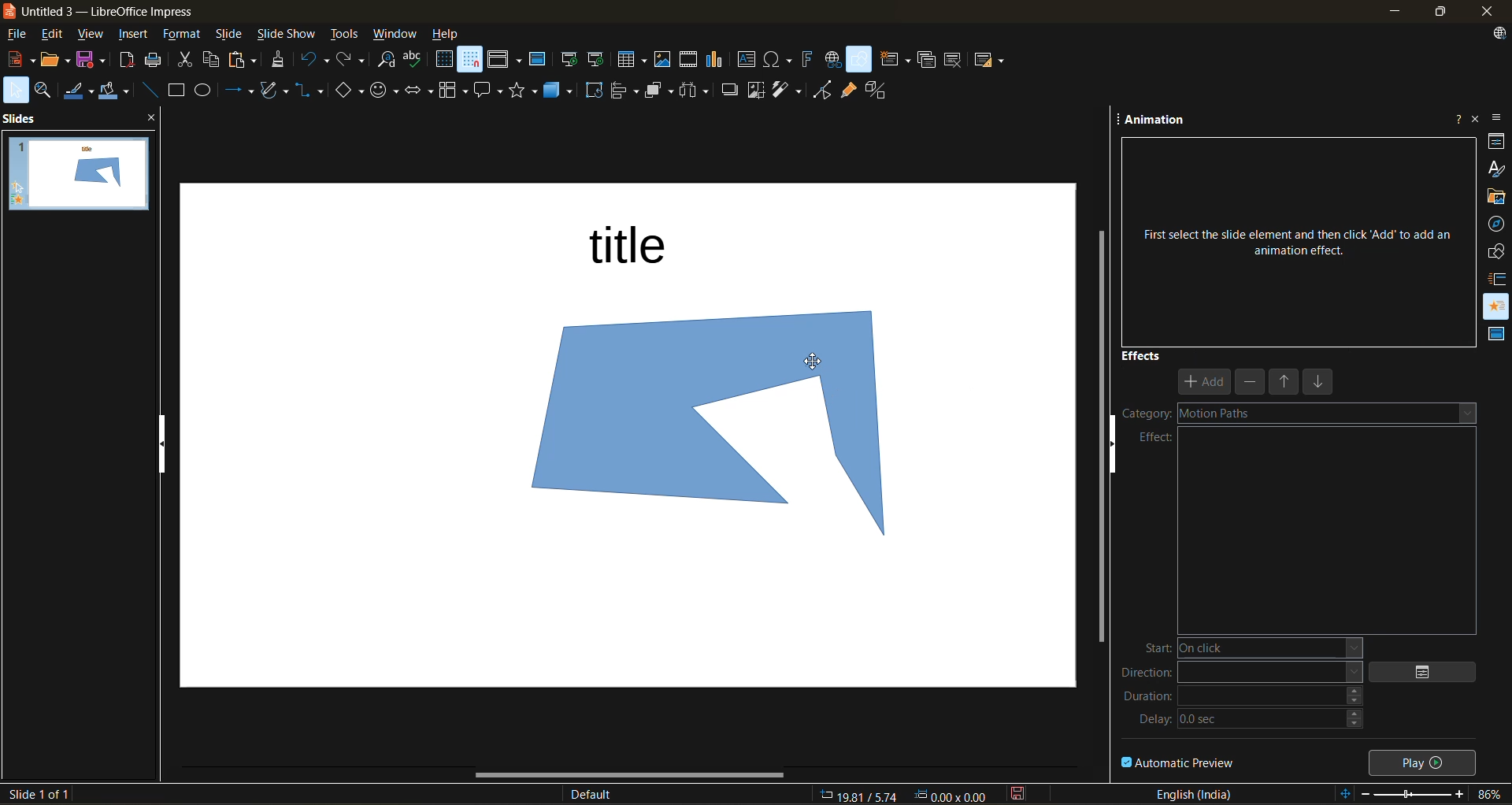  What do you see at coordinates (806, 61) in the screenshot?
I see `insert fontwork text` at bounding box center [806, 61].